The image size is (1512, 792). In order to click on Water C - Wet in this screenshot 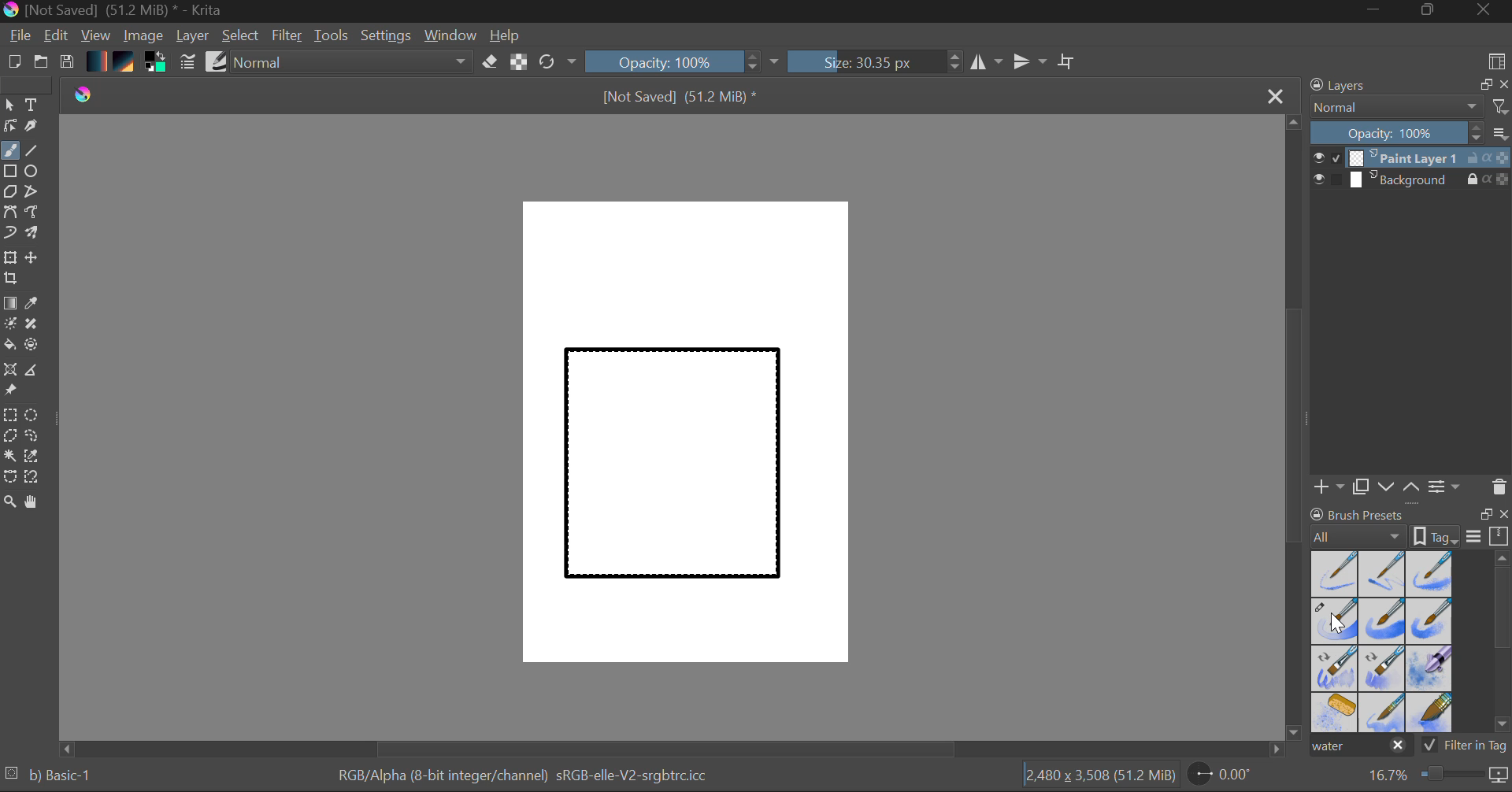, I will do `click(1384, 574)`.